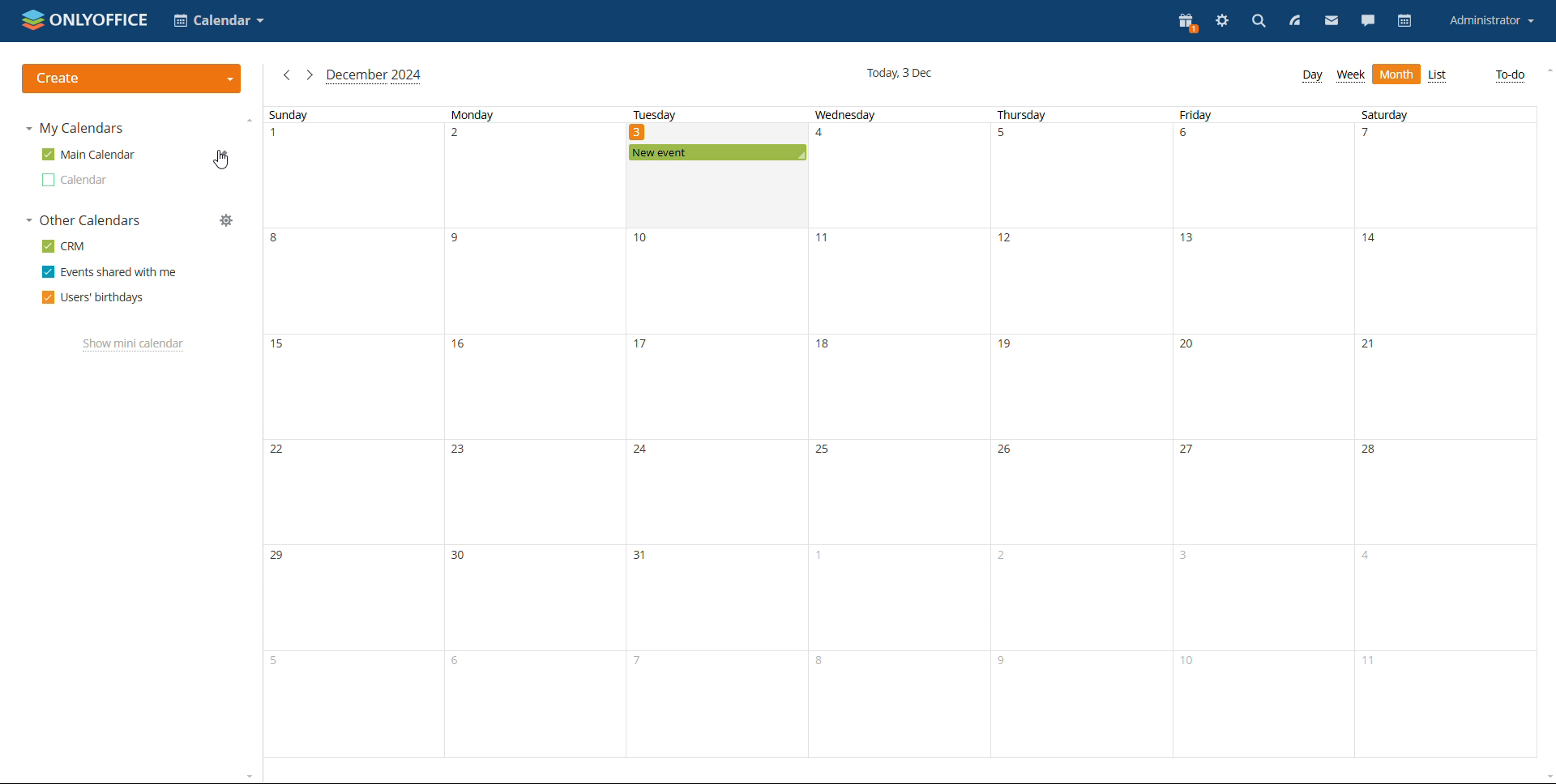  I want to click on current date, so click(901, 74).